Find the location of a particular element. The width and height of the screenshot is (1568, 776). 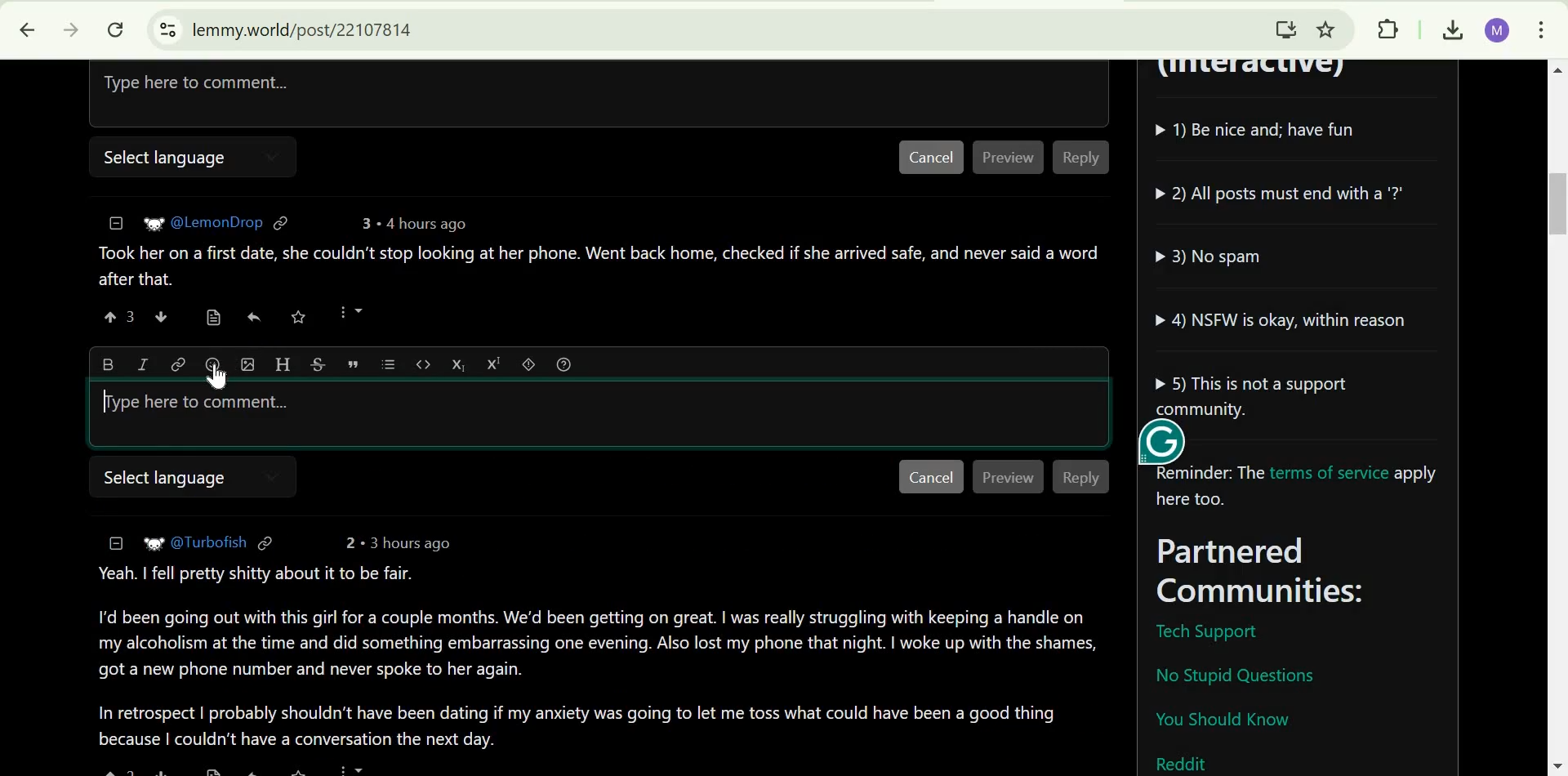

Downloads is located at coordinates (1452, 31).